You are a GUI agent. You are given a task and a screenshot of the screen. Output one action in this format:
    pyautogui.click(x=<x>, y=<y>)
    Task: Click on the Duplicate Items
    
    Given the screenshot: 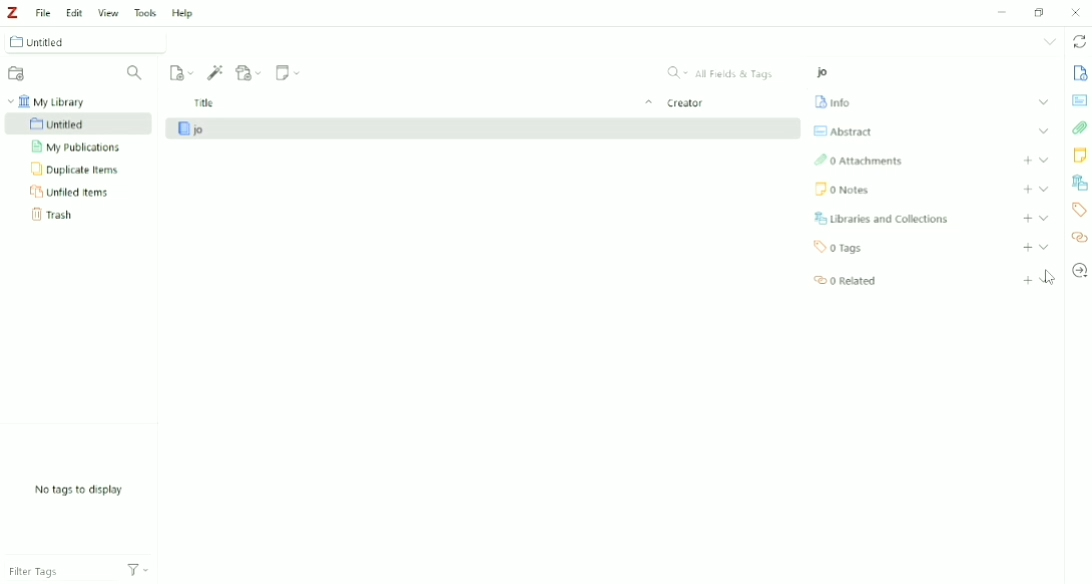 What is the action you would take?
    pyautogui.click(x=77, y=170)
    